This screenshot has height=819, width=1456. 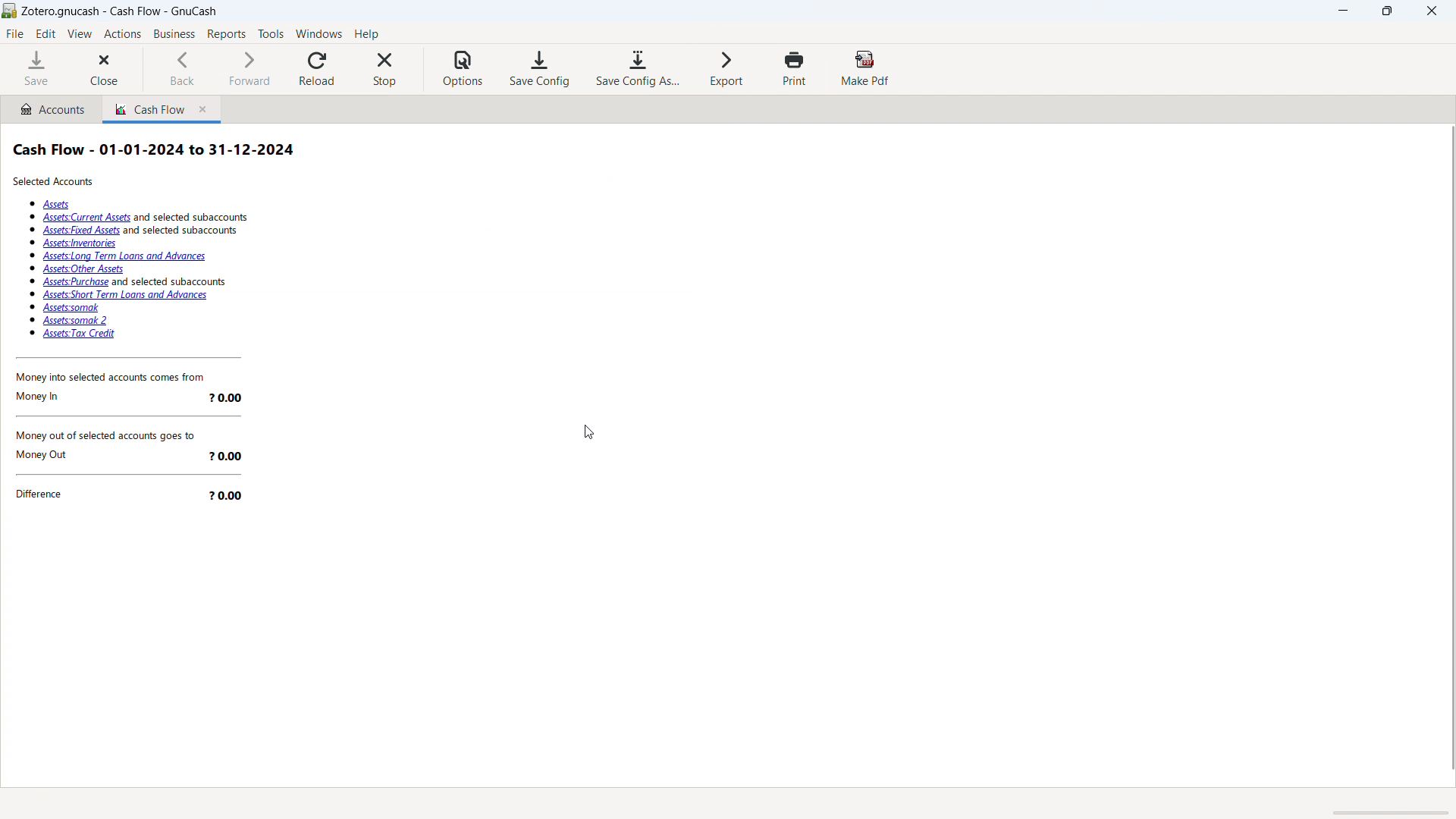 What do you see at coordinates (74, 322) in the screenshot?
I see `Assets: somak 2` at bounding box center [74, 322].